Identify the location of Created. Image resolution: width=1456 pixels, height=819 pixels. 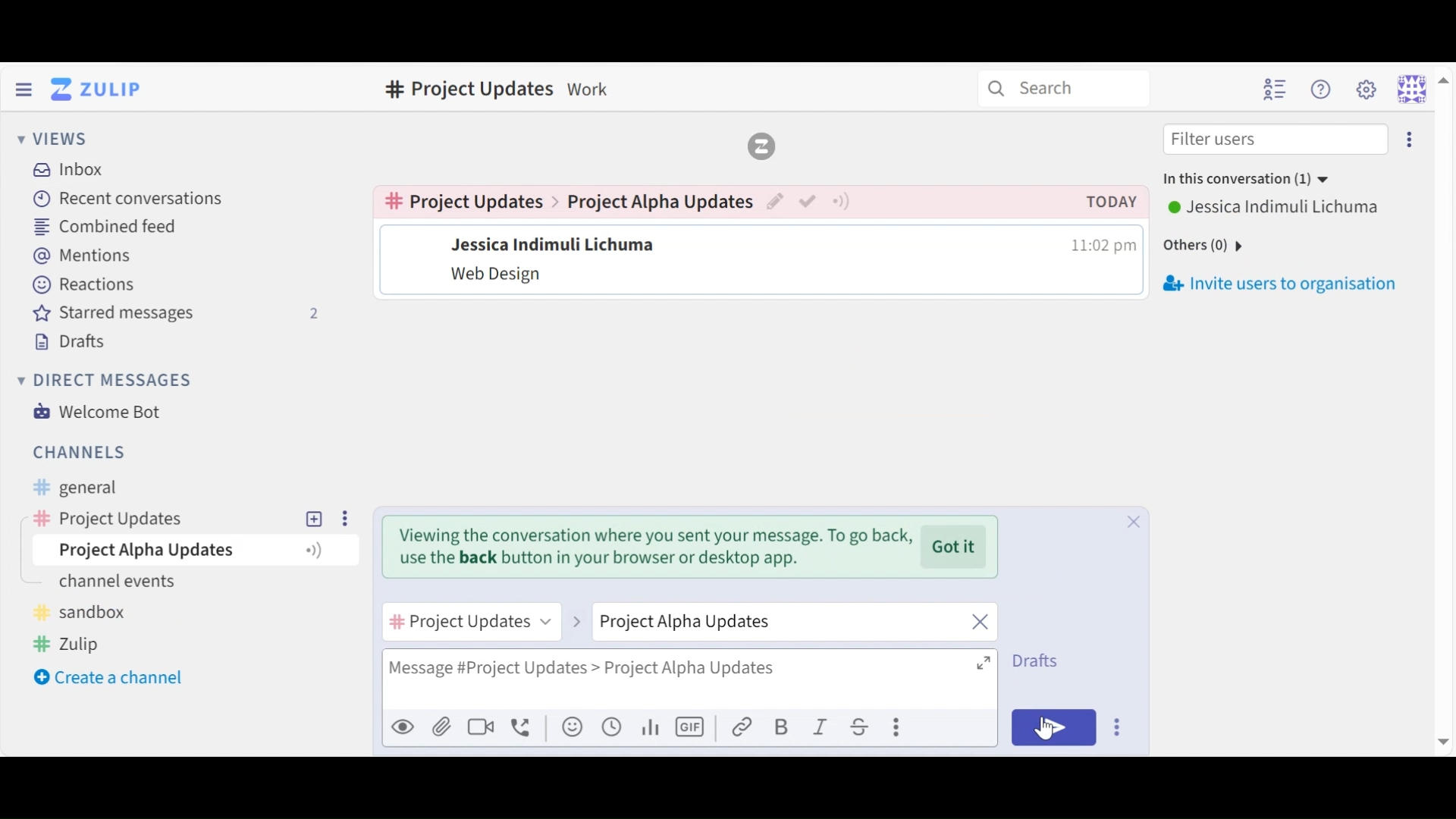
(1112, 201).